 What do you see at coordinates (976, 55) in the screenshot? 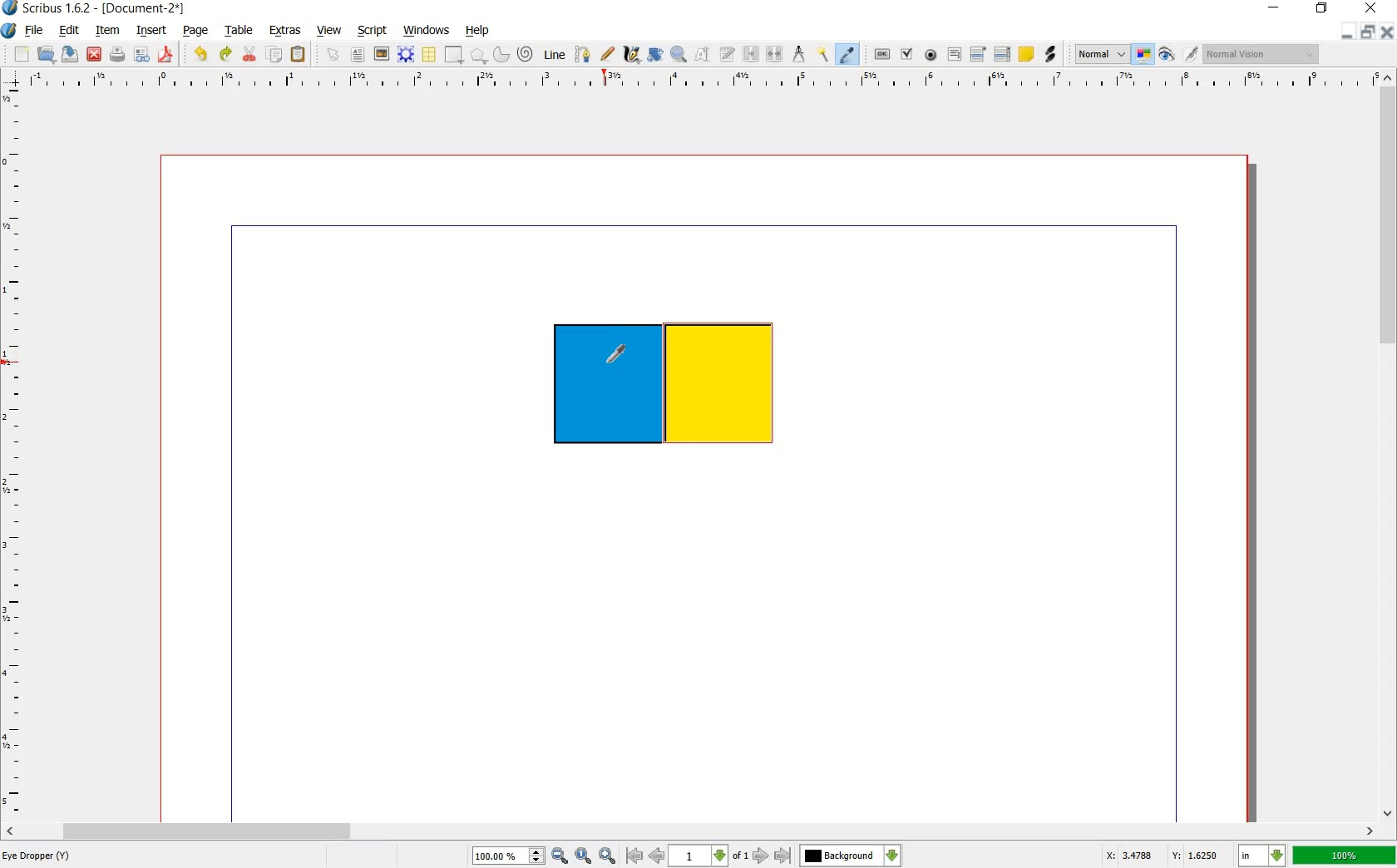
I see `pdf combo box` at bounding box center [976, 55].